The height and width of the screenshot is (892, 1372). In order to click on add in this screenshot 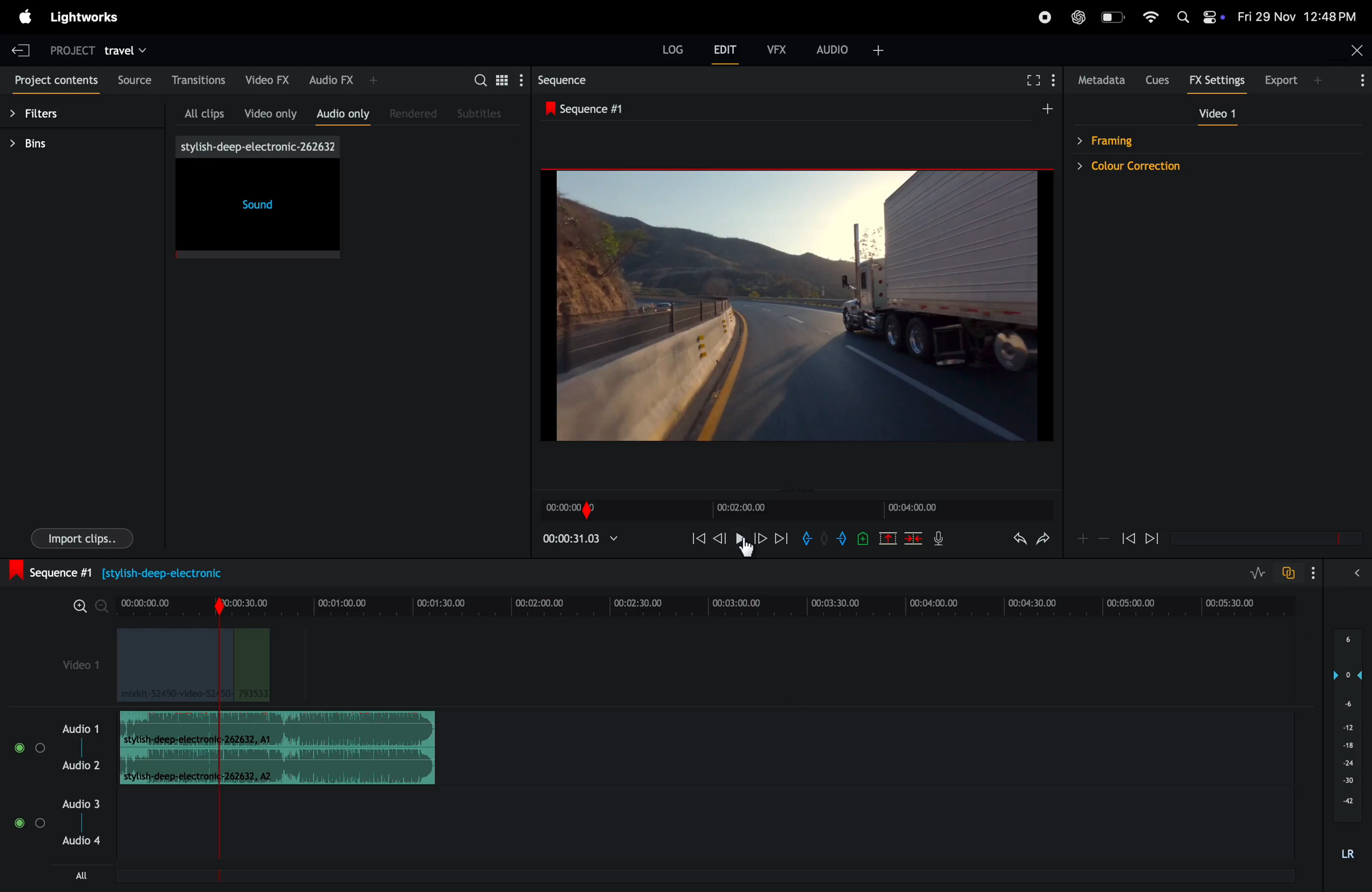, I will do `click(889, 538)`.